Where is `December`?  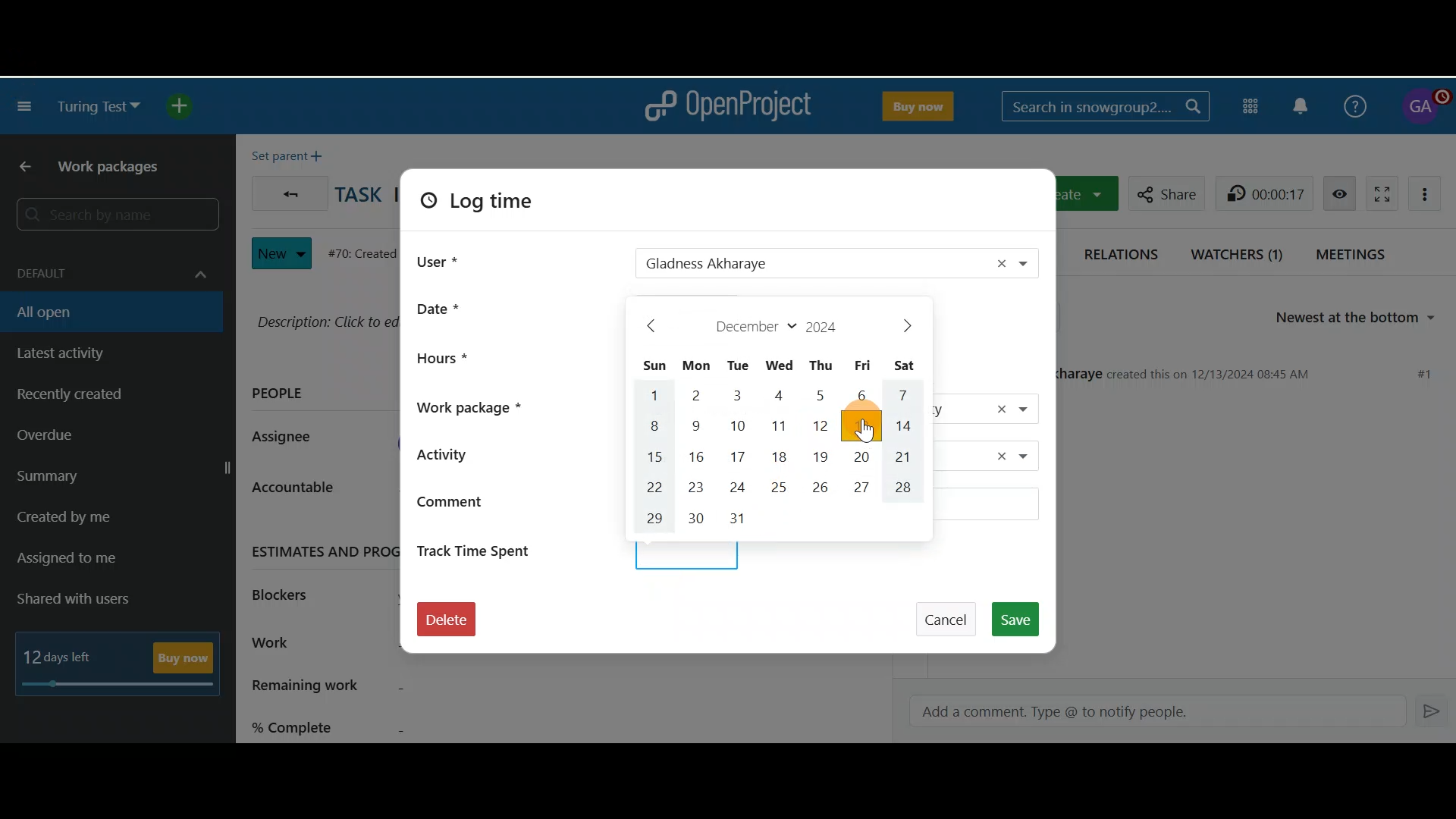
December is located at coordinates (752, 323).